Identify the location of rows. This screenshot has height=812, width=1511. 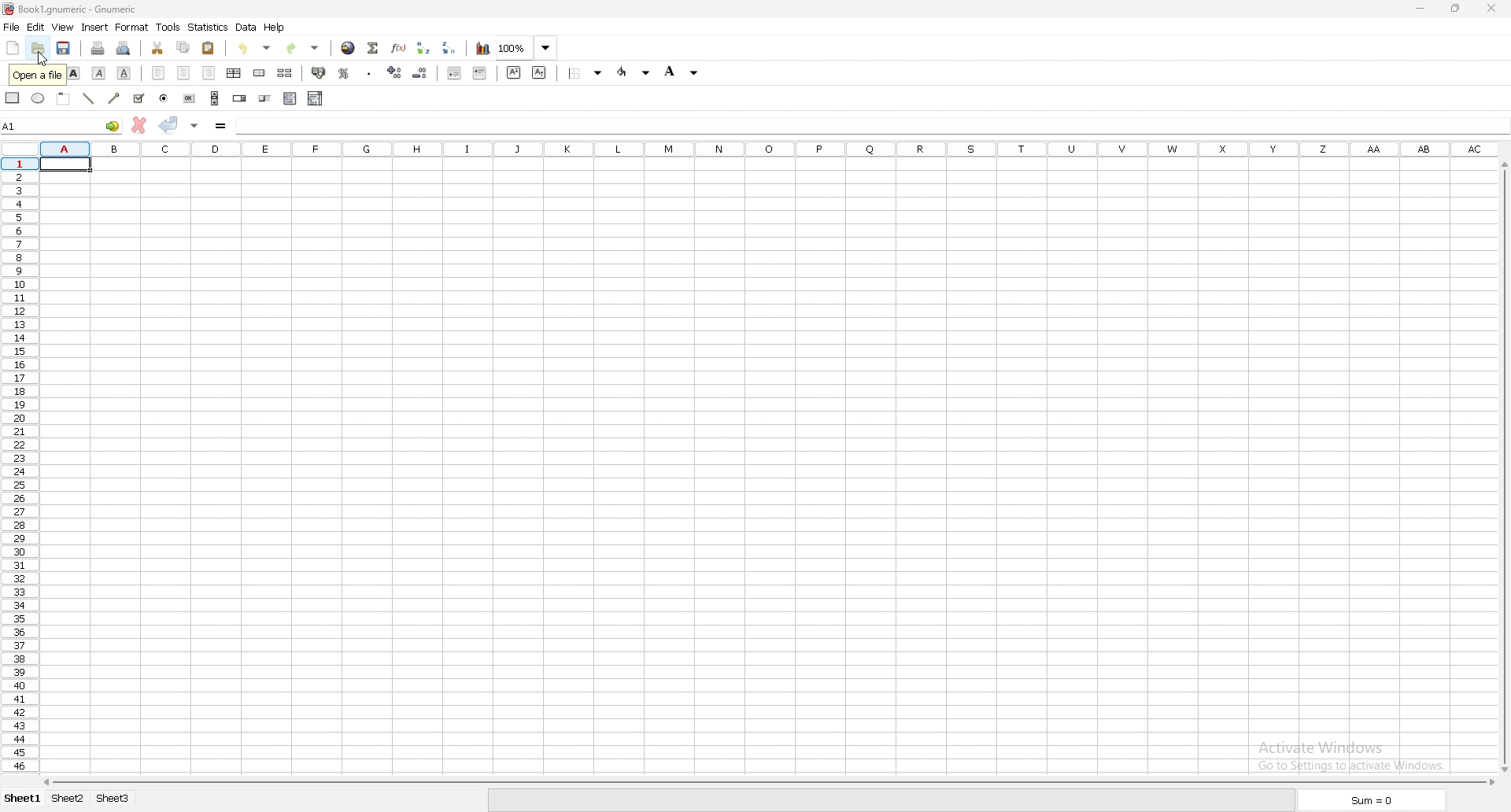
(20, 467).